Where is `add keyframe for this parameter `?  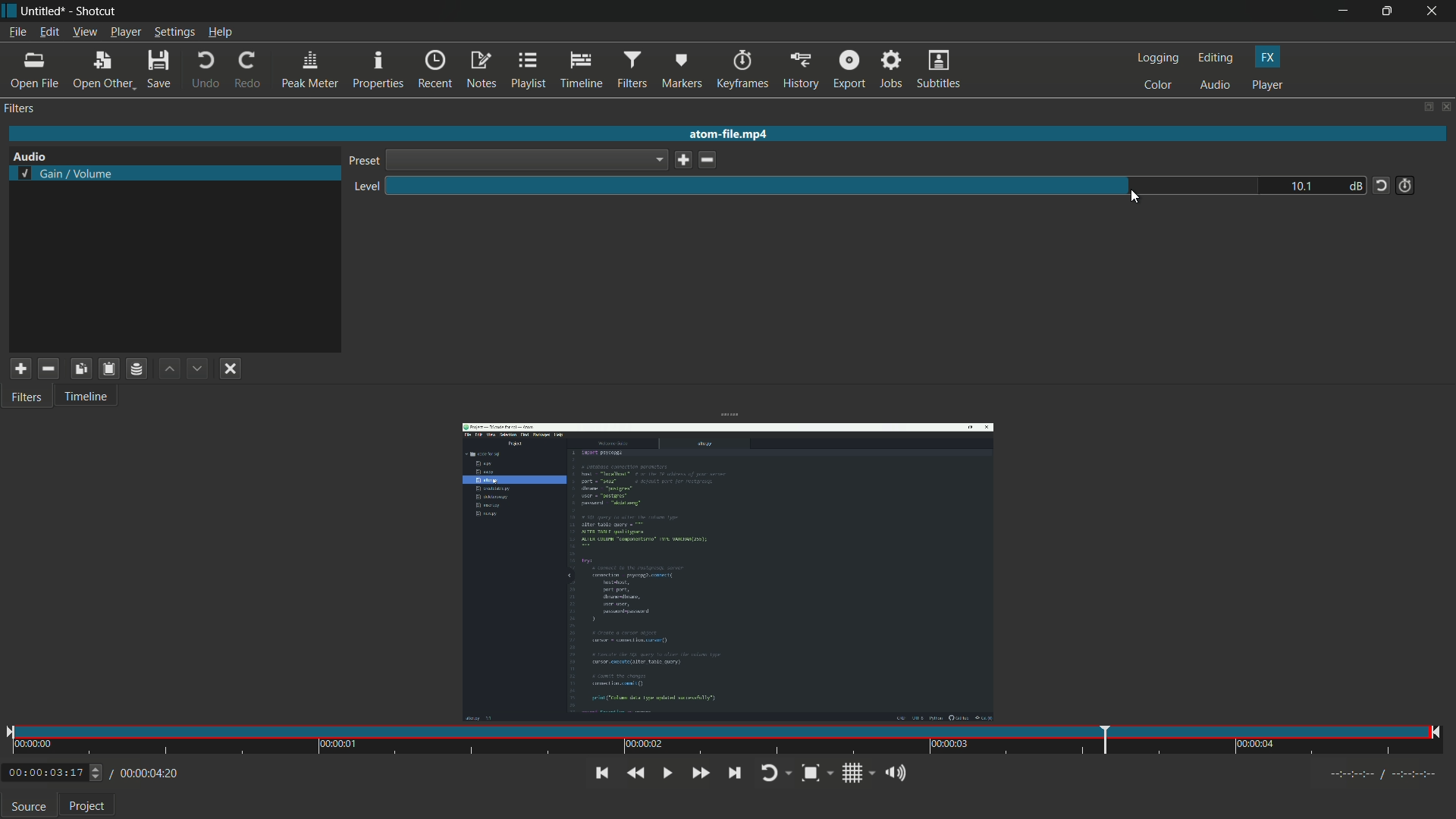
add keyframe for this parameter  is located at coordinates (1405, 185).